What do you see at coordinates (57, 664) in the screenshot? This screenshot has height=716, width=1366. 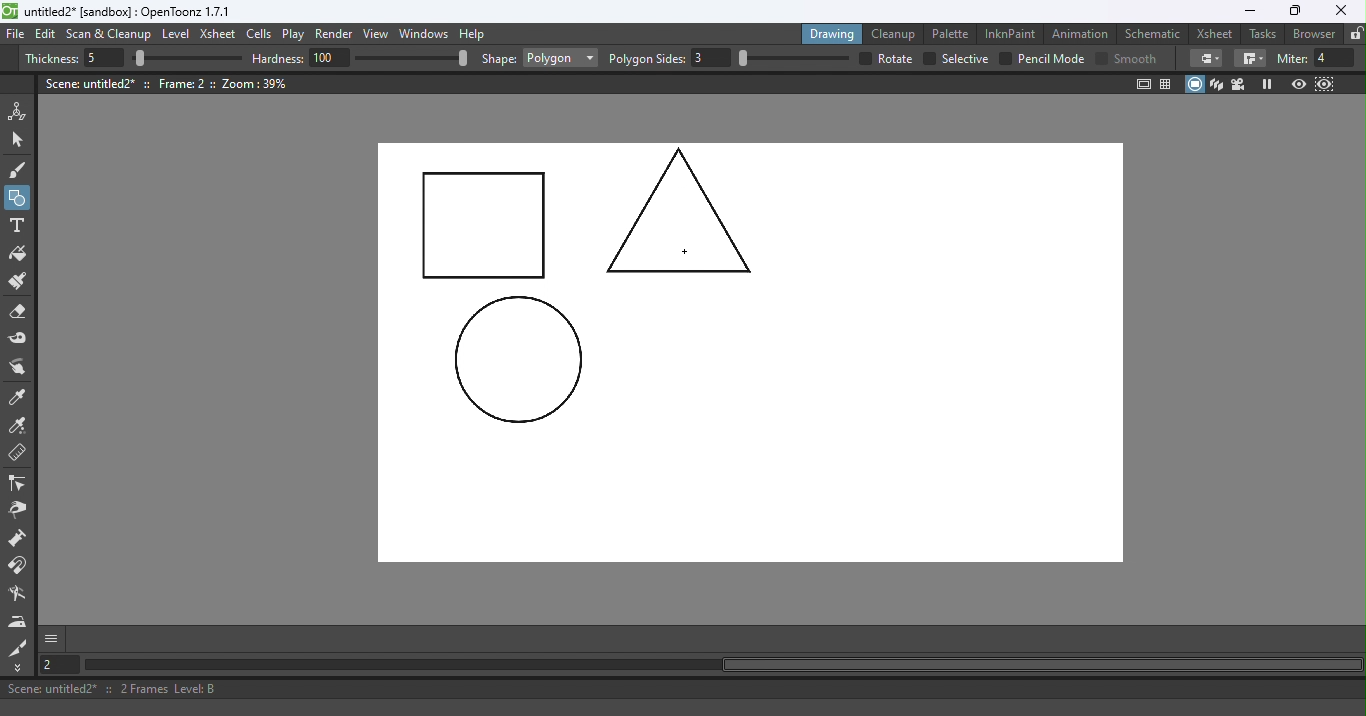 I see `Set the current frame` at bounding box center [57, 664].